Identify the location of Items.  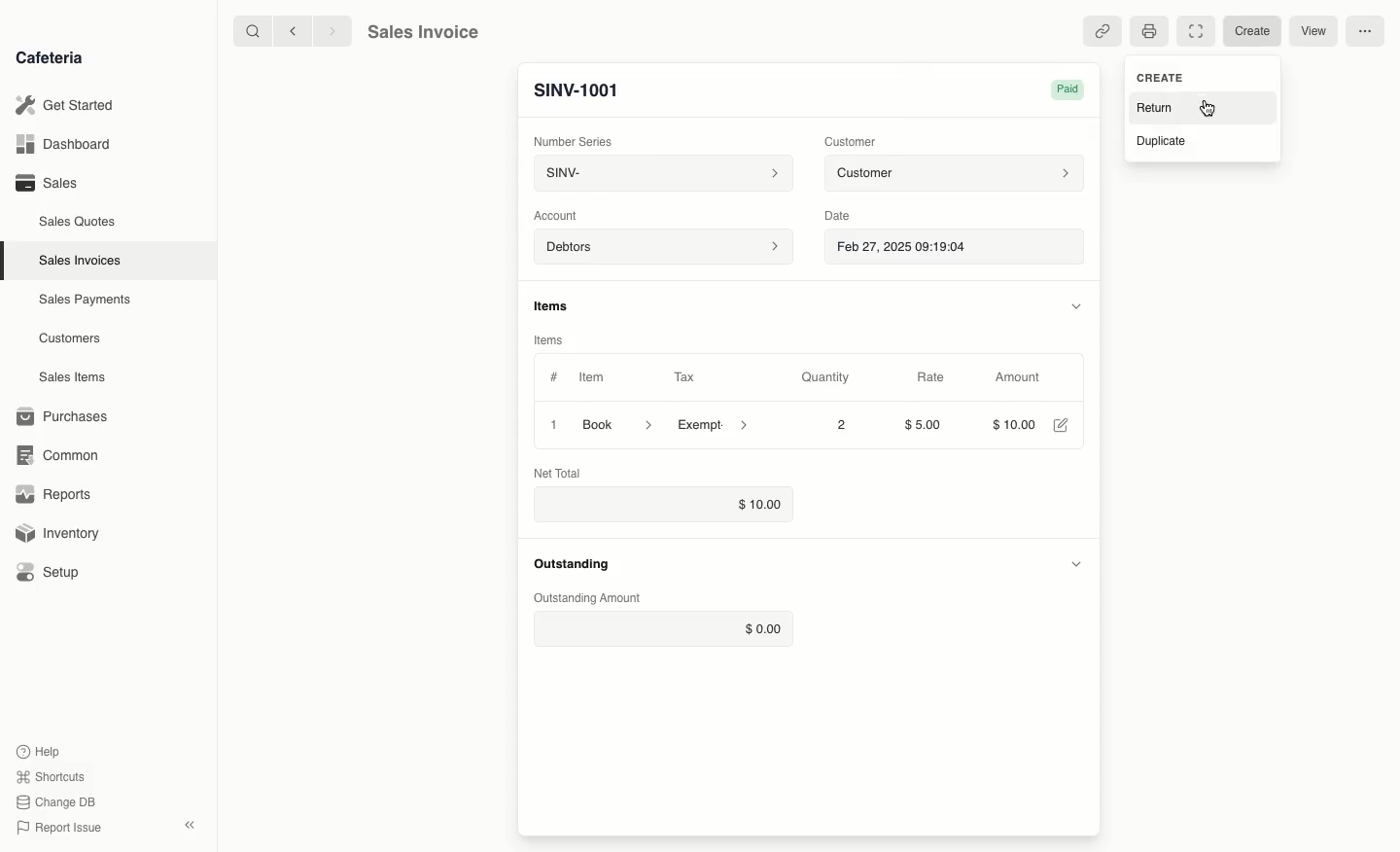
(547, 341).